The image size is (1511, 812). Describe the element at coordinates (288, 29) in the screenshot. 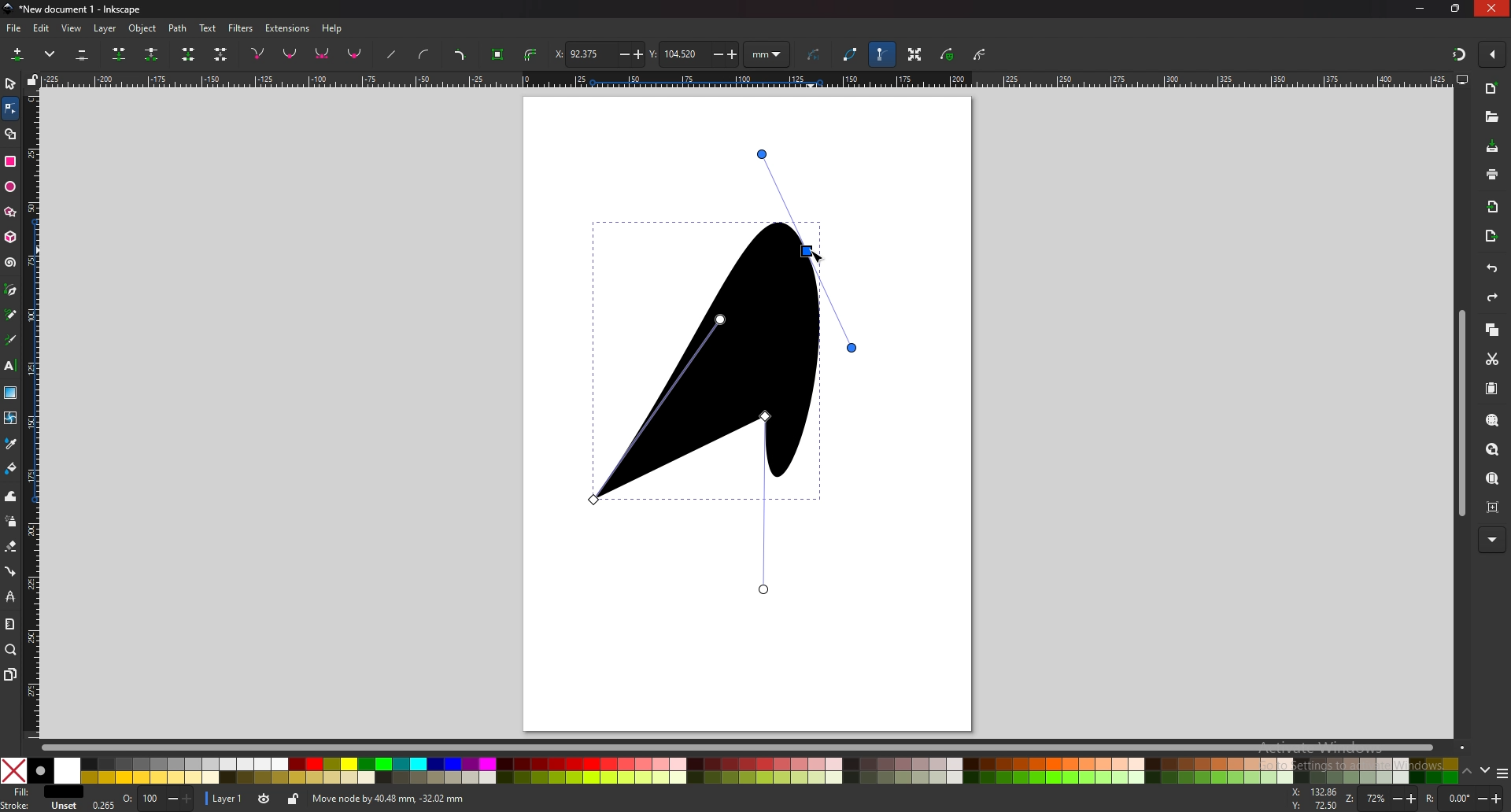

I see `extensions` at that location.